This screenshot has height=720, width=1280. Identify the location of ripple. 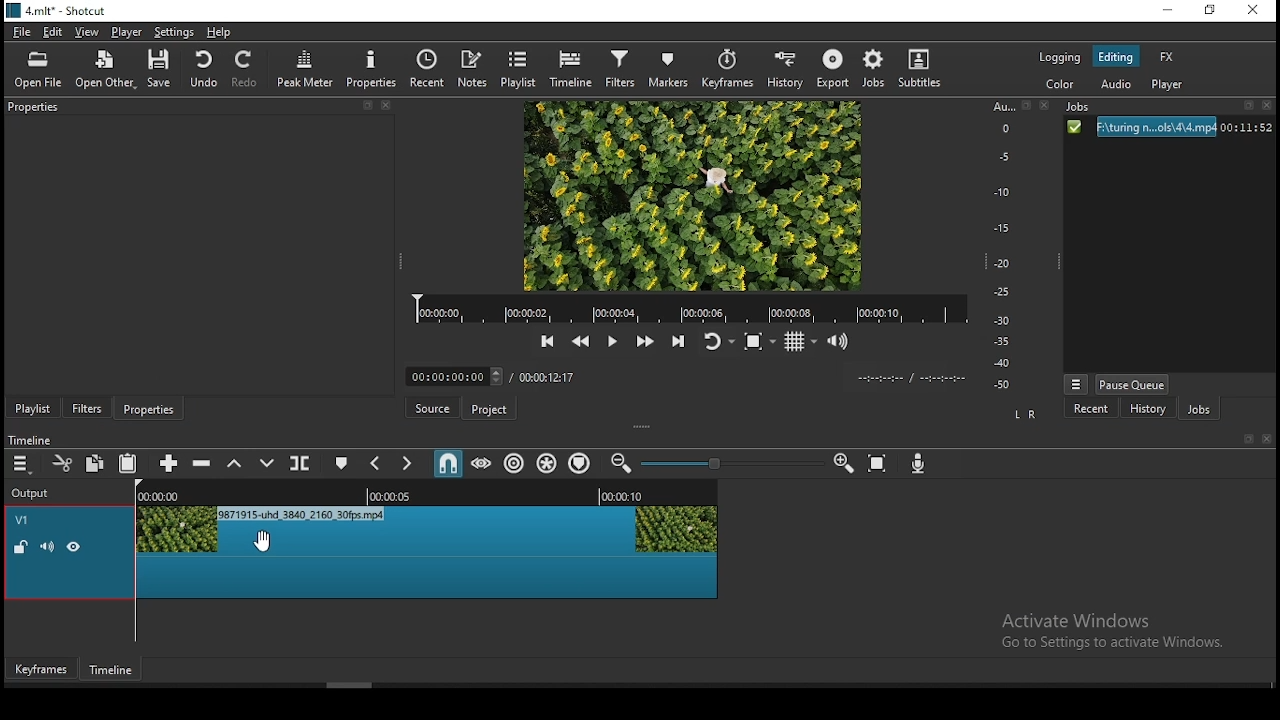
(515, 465).